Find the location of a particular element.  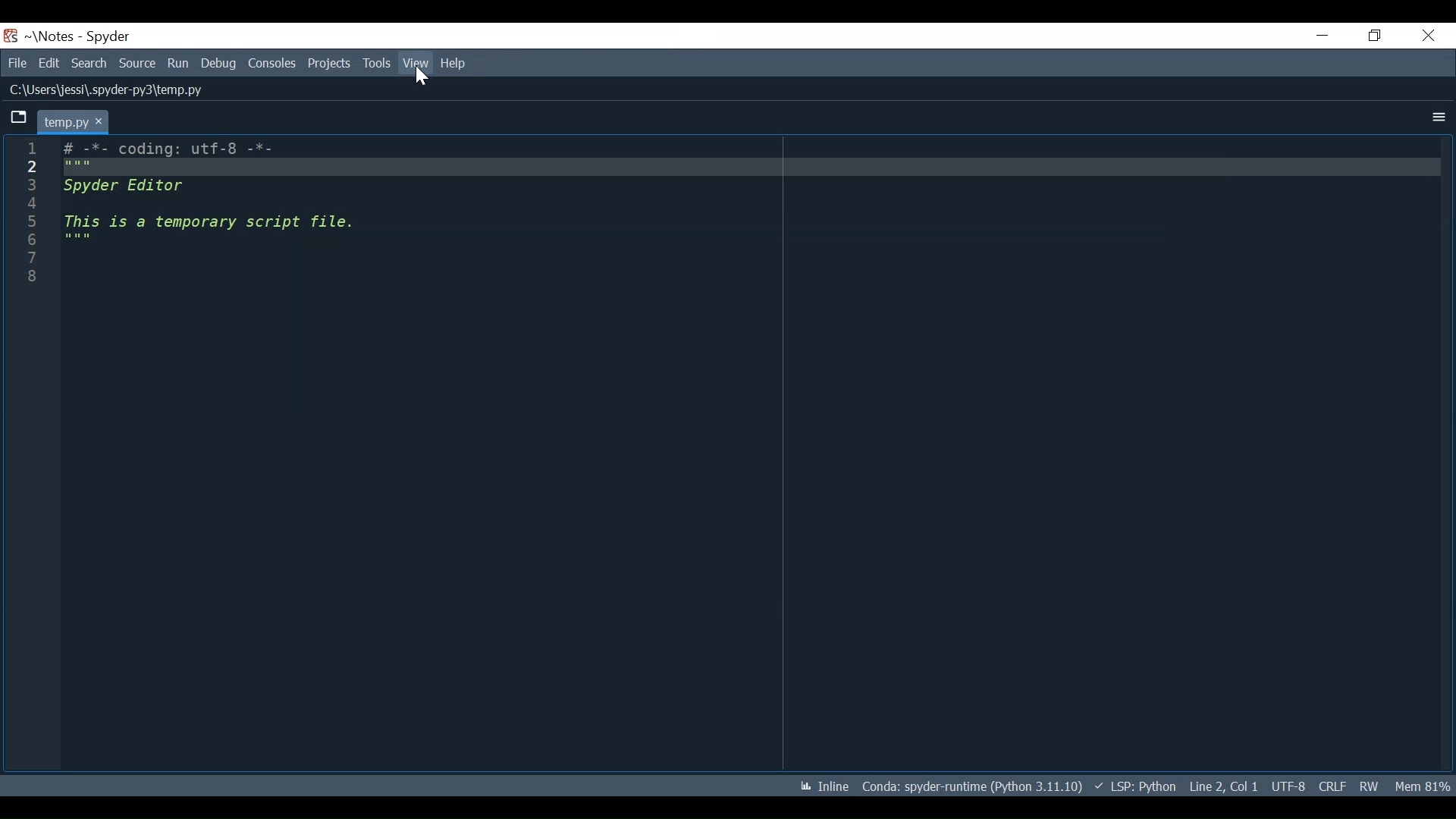

Cursor is located at coordinates (422, 78).